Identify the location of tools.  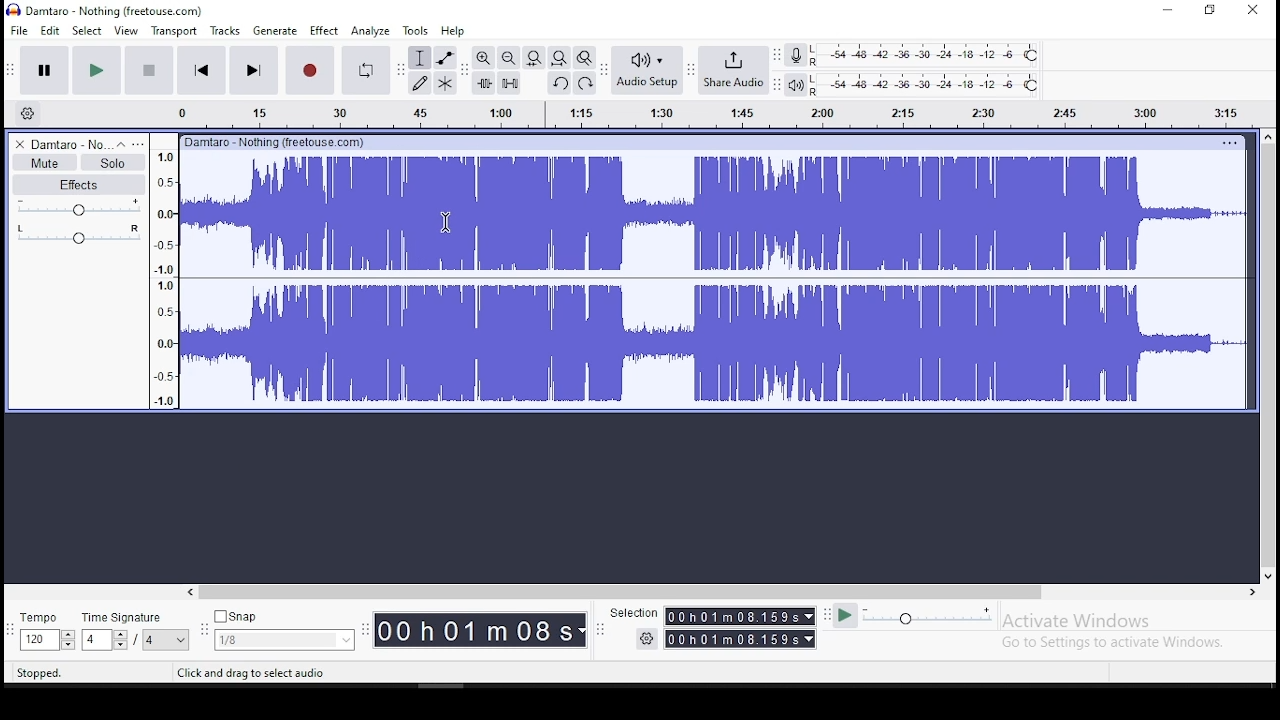
(417, 31).